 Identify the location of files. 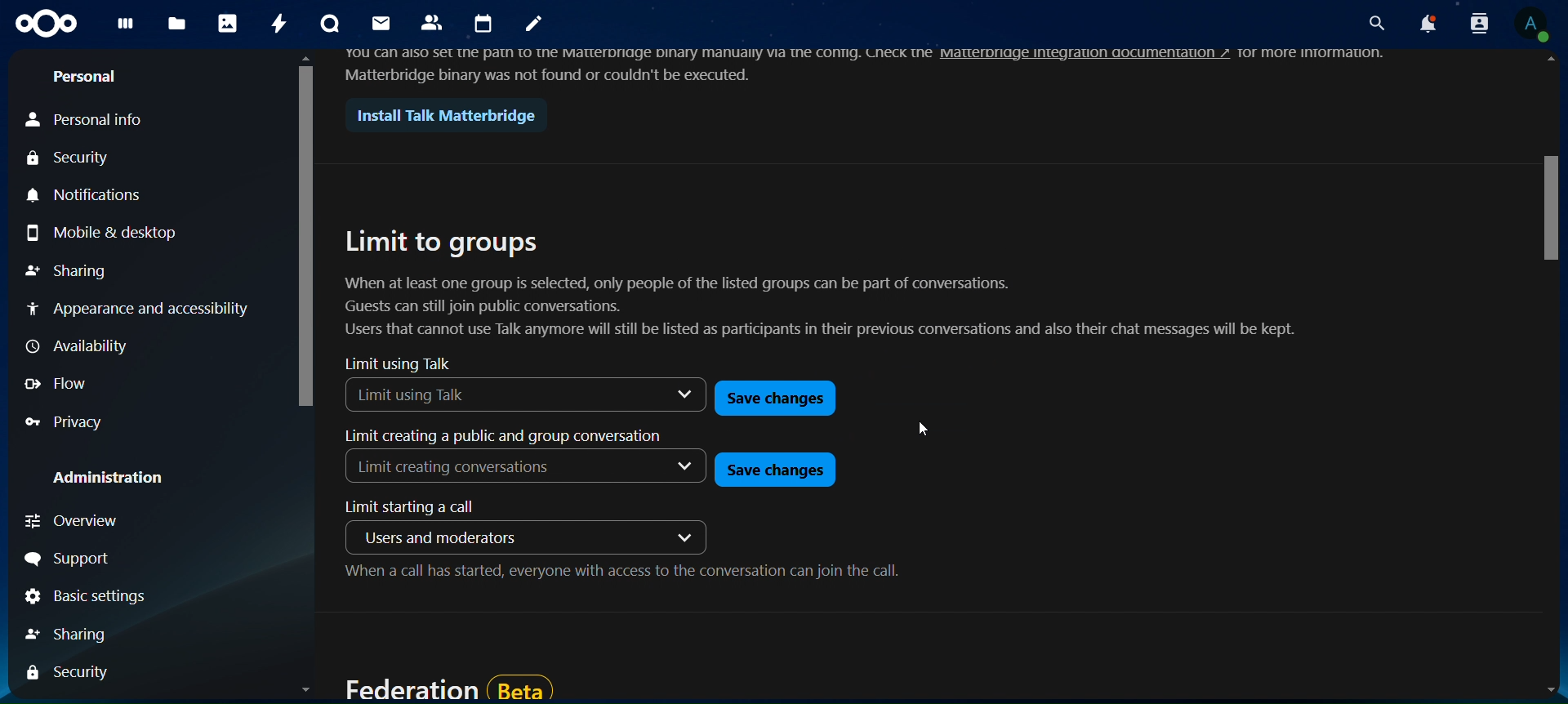
(177, 21).